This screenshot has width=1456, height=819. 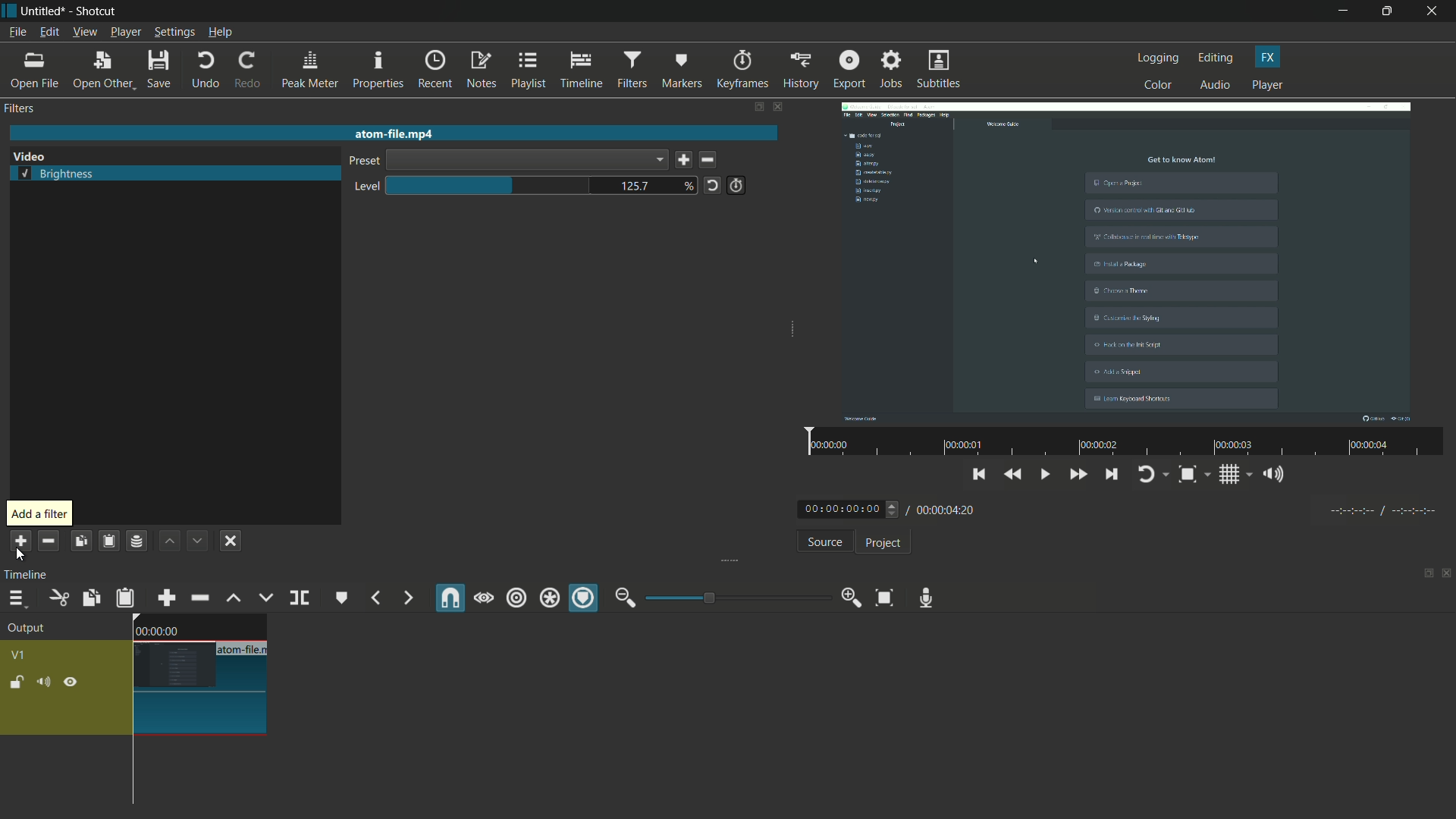 I want to click on mute, so click(x=46, y=682).